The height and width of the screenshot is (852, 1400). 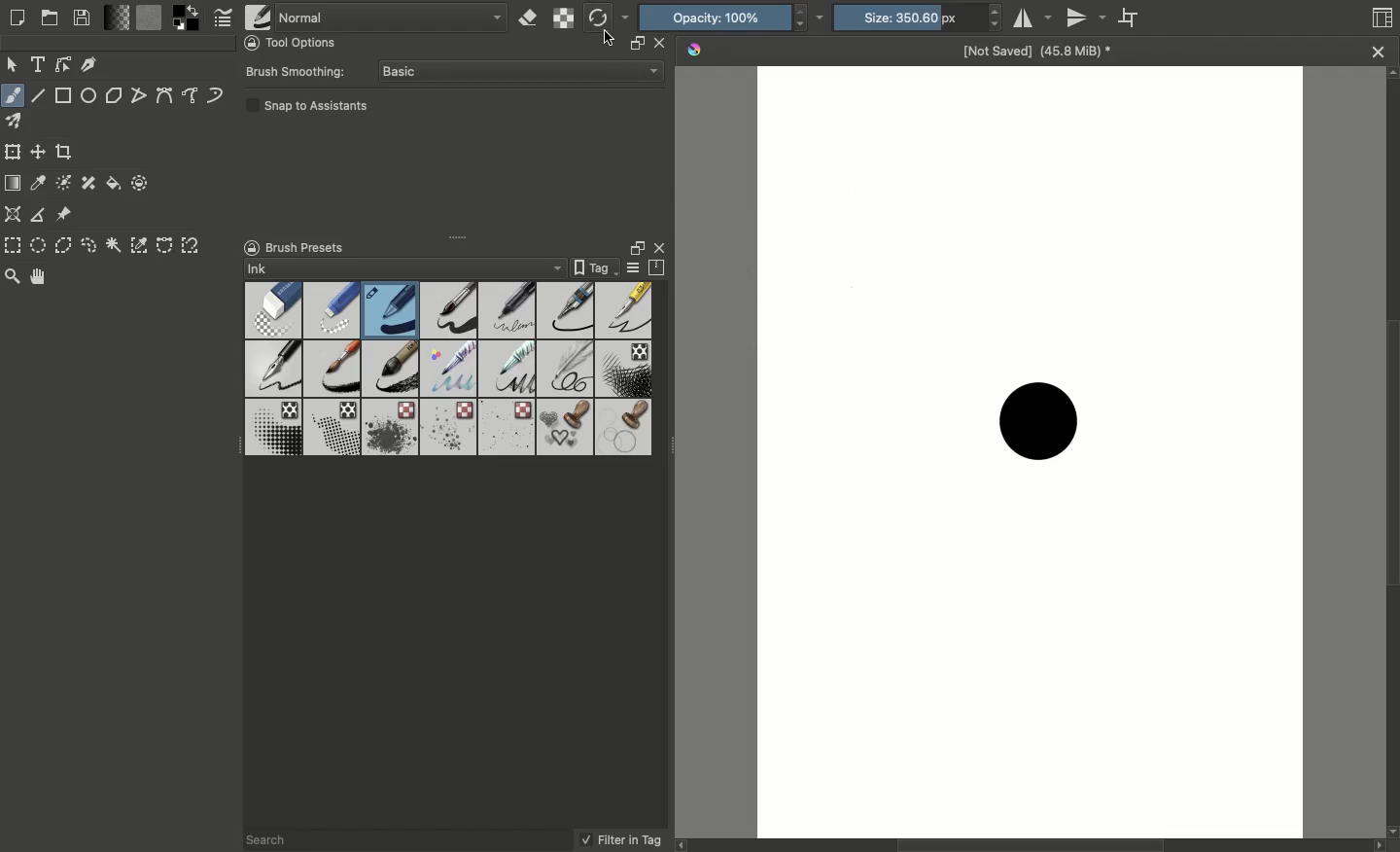 What do you see at coordinates (297, 42) in the screenshot?
I see `Tool options` at bounding box center [297, 42].